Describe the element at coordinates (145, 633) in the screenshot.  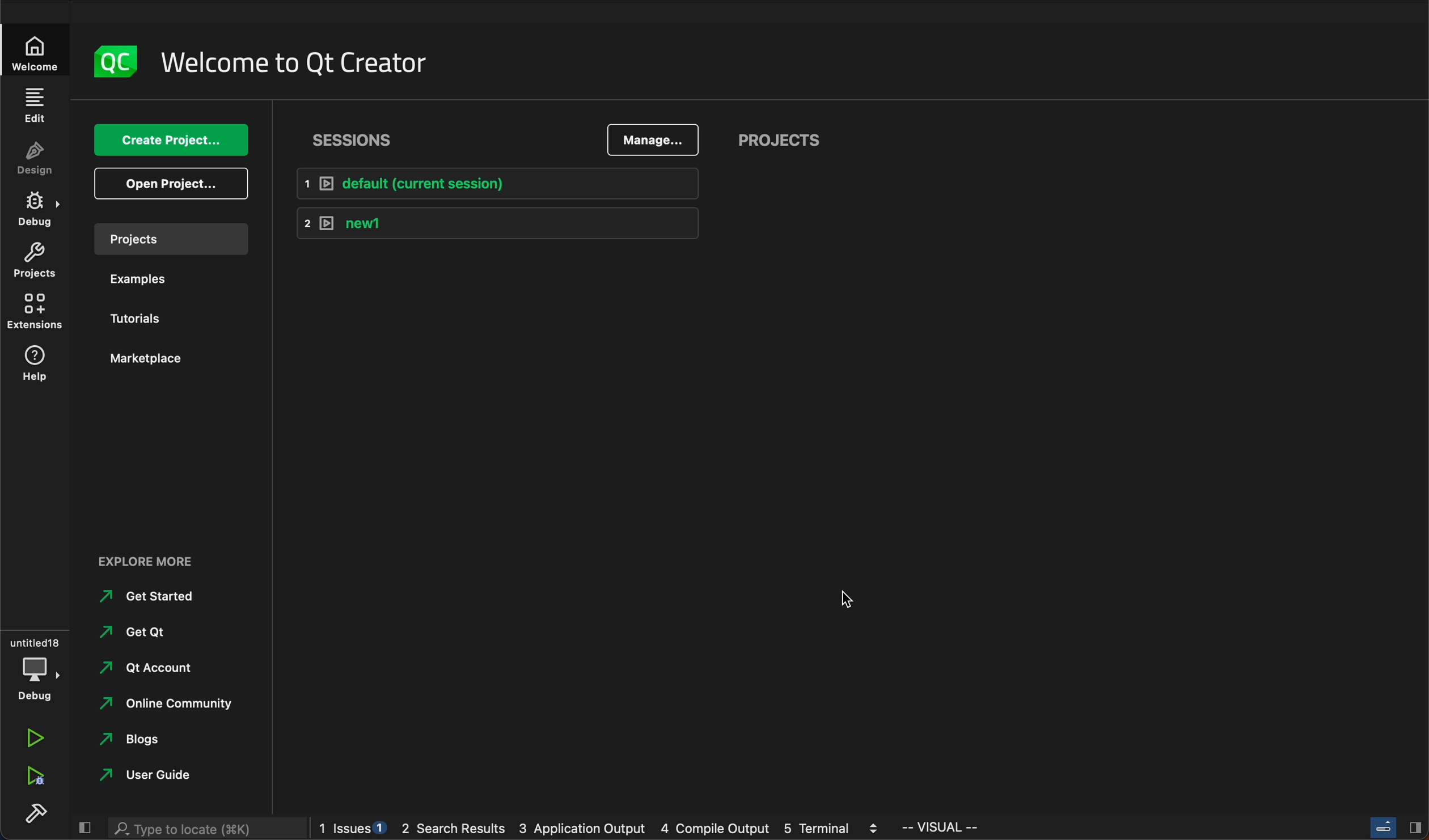
I see `get qt` at that location.